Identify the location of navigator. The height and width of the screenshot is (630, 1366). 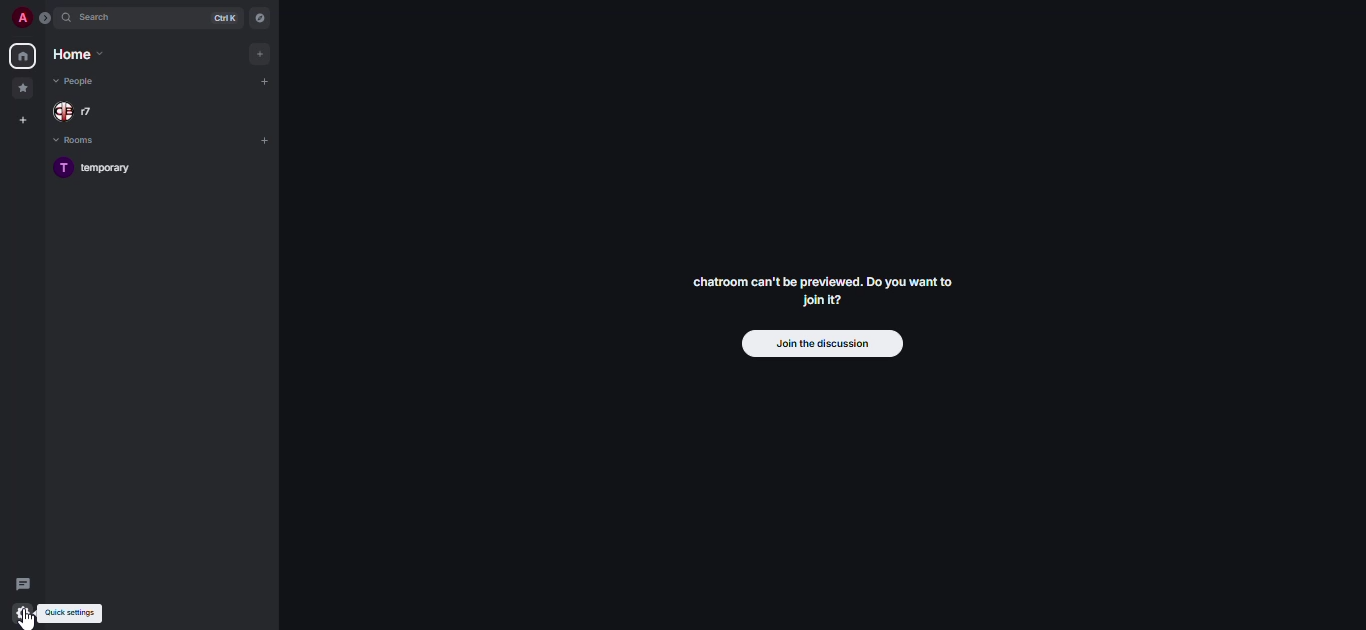
(263, 18).